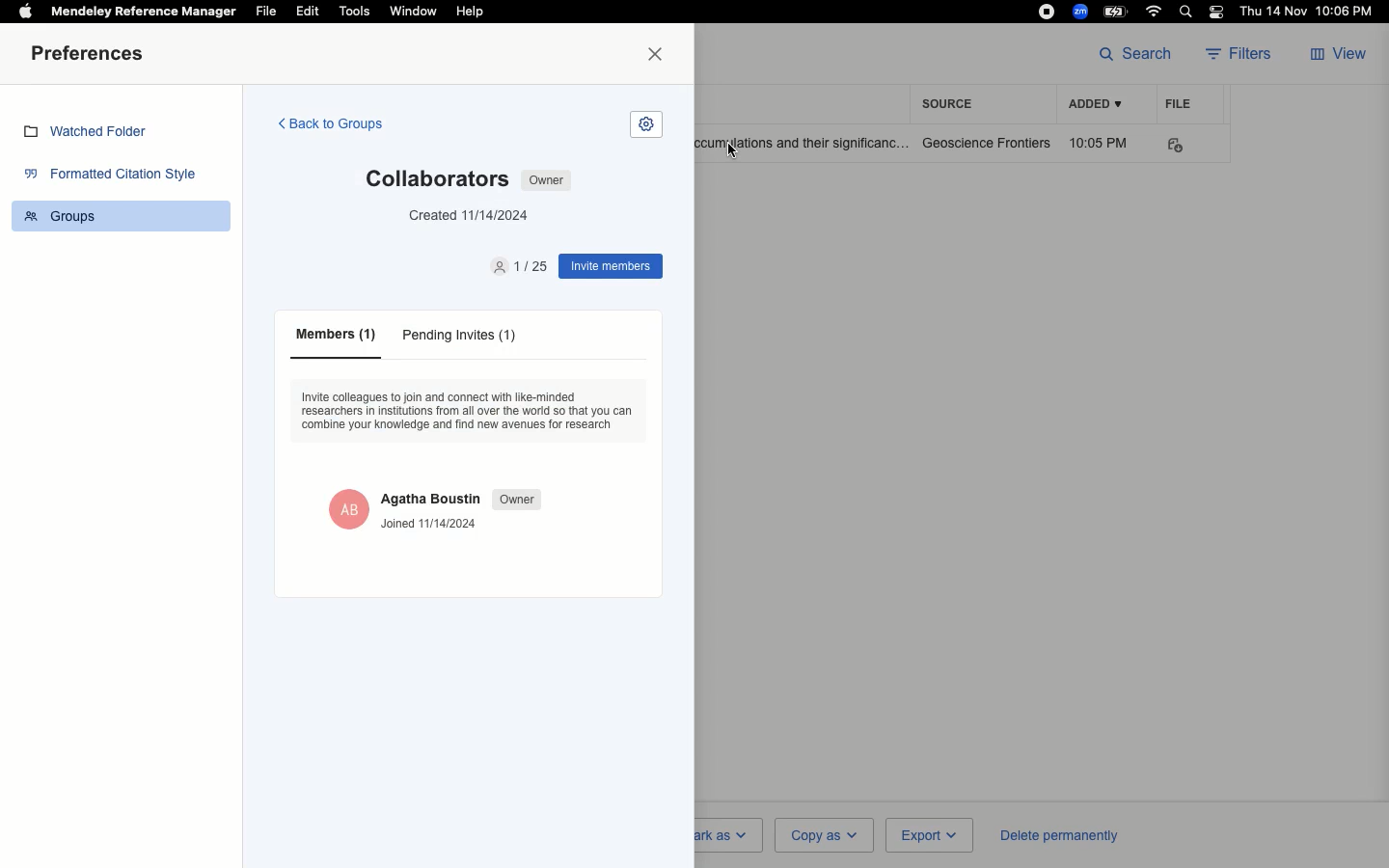  Describe the element at coordinates (522, 265) in the screenshot. I see `invite members` at that location.